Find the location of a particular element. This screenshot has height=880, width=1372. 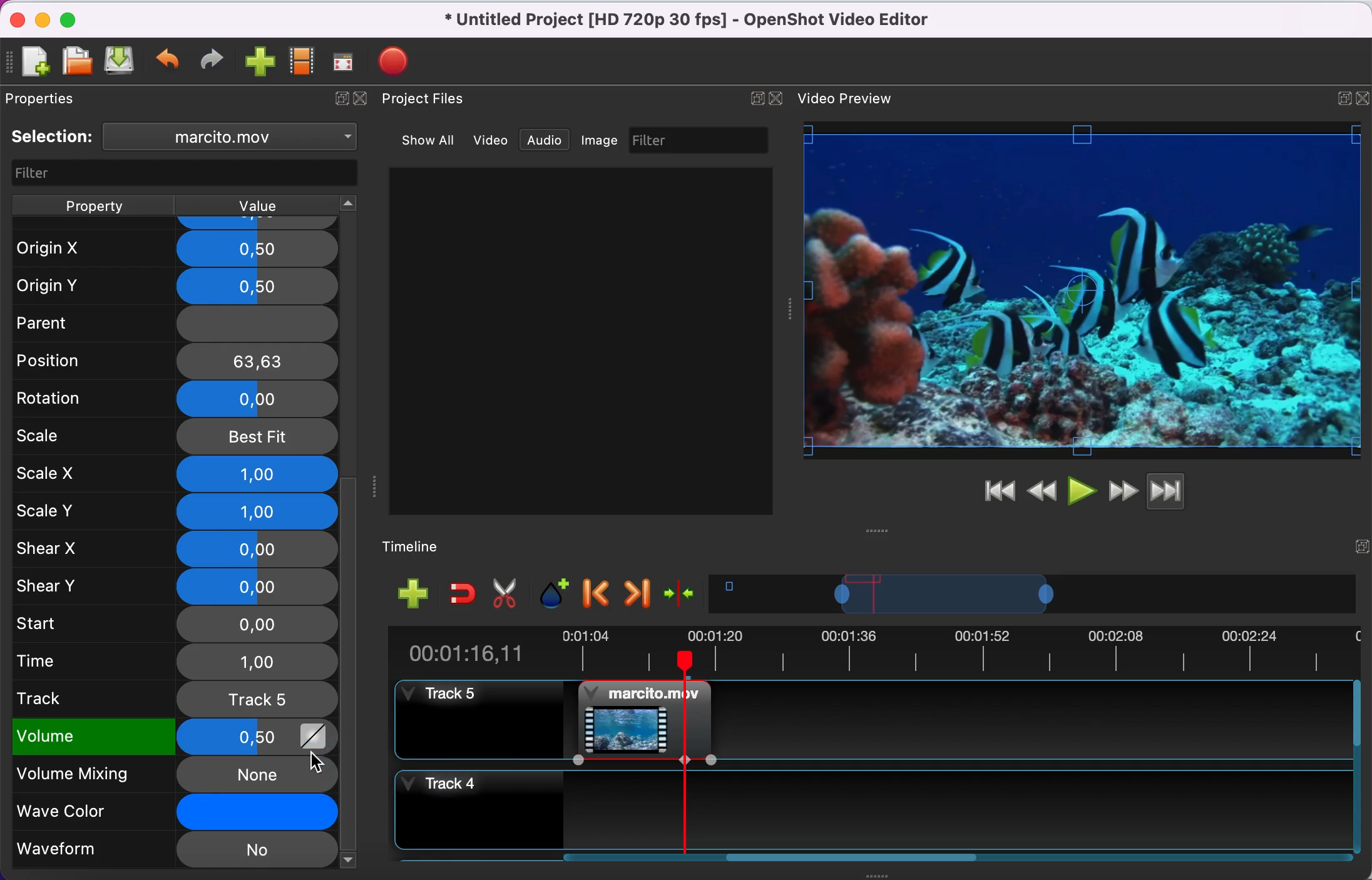

volume 0,5 is located at coordinates (153, 738).